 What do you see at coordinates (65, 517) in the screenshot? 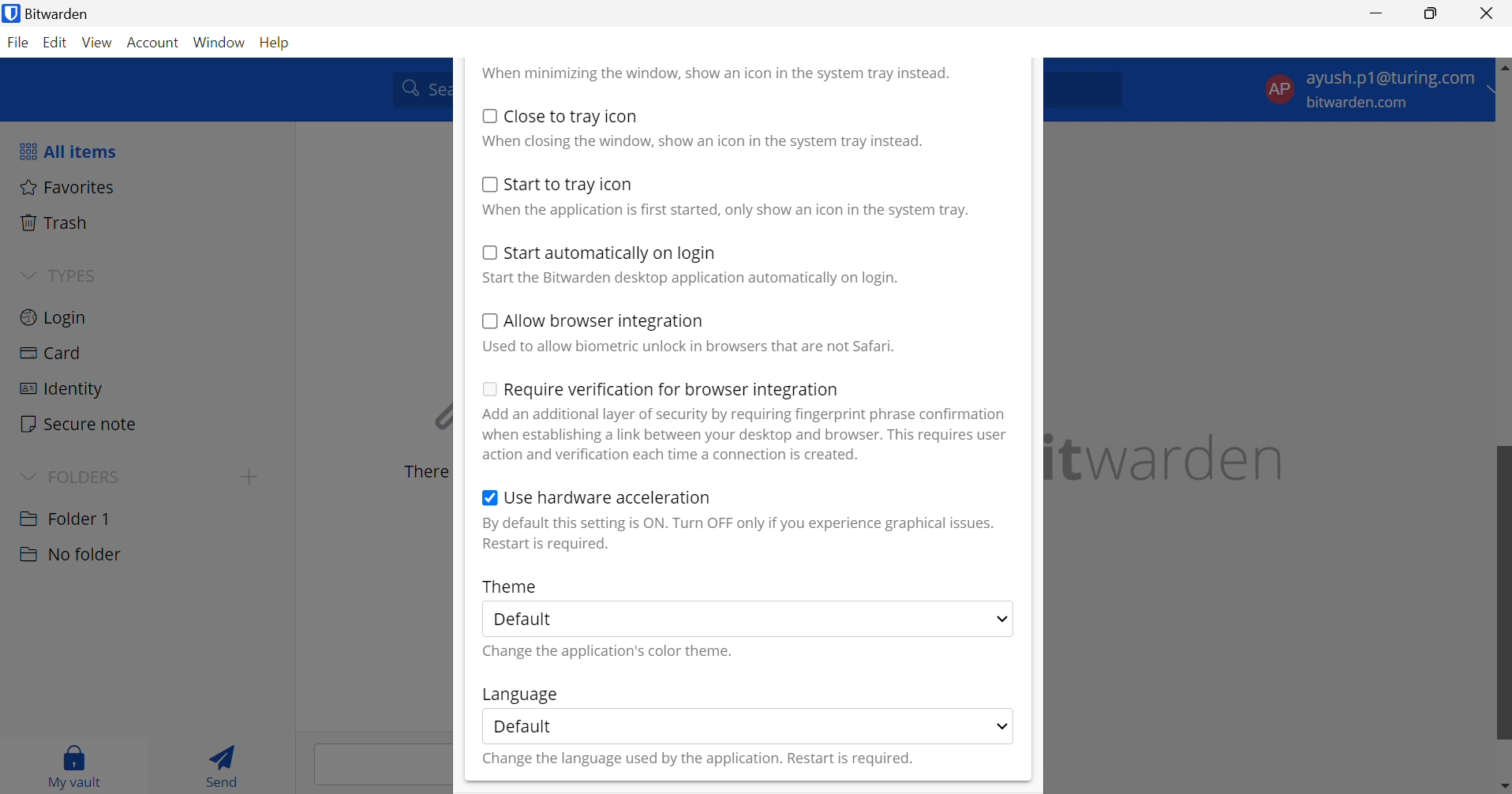
I see `Folder 1` at bounding box center [65, 517].